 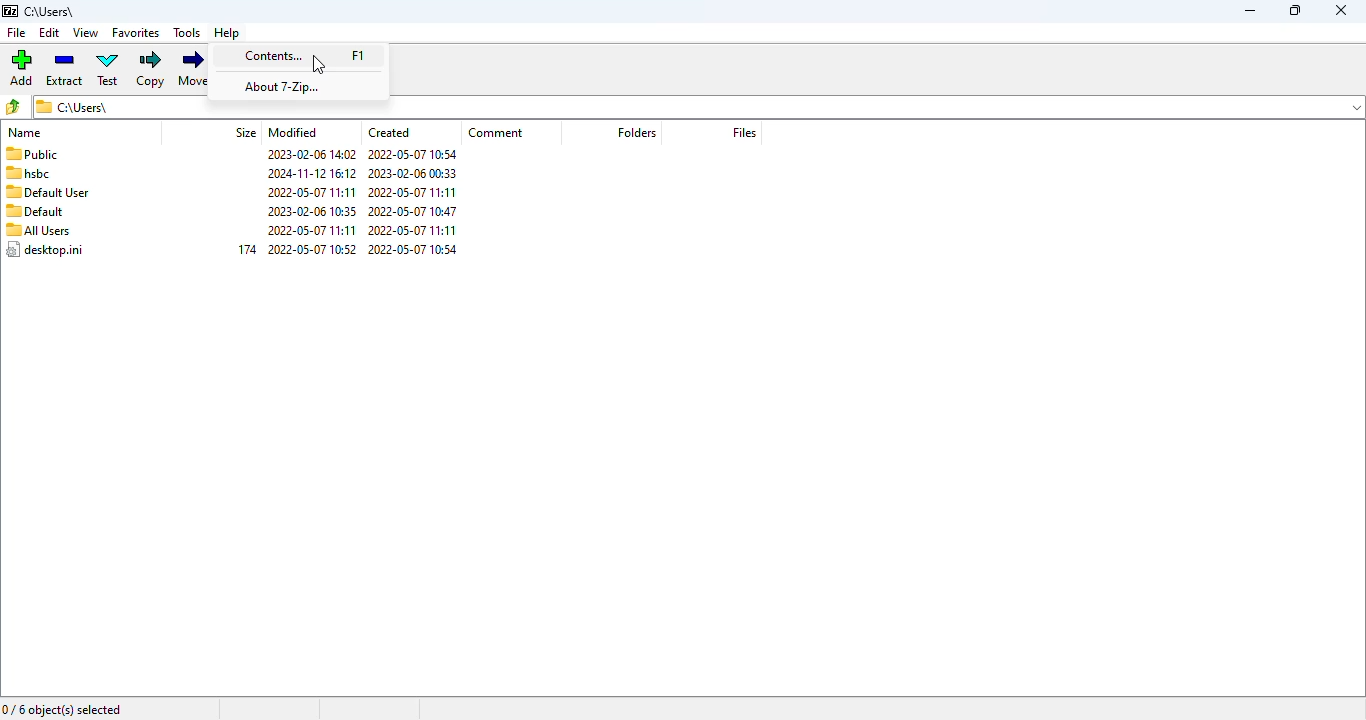 What do you see at coordinates (10, 11) in the screenshot?
I see `logo` at bounding box center [10, 11].